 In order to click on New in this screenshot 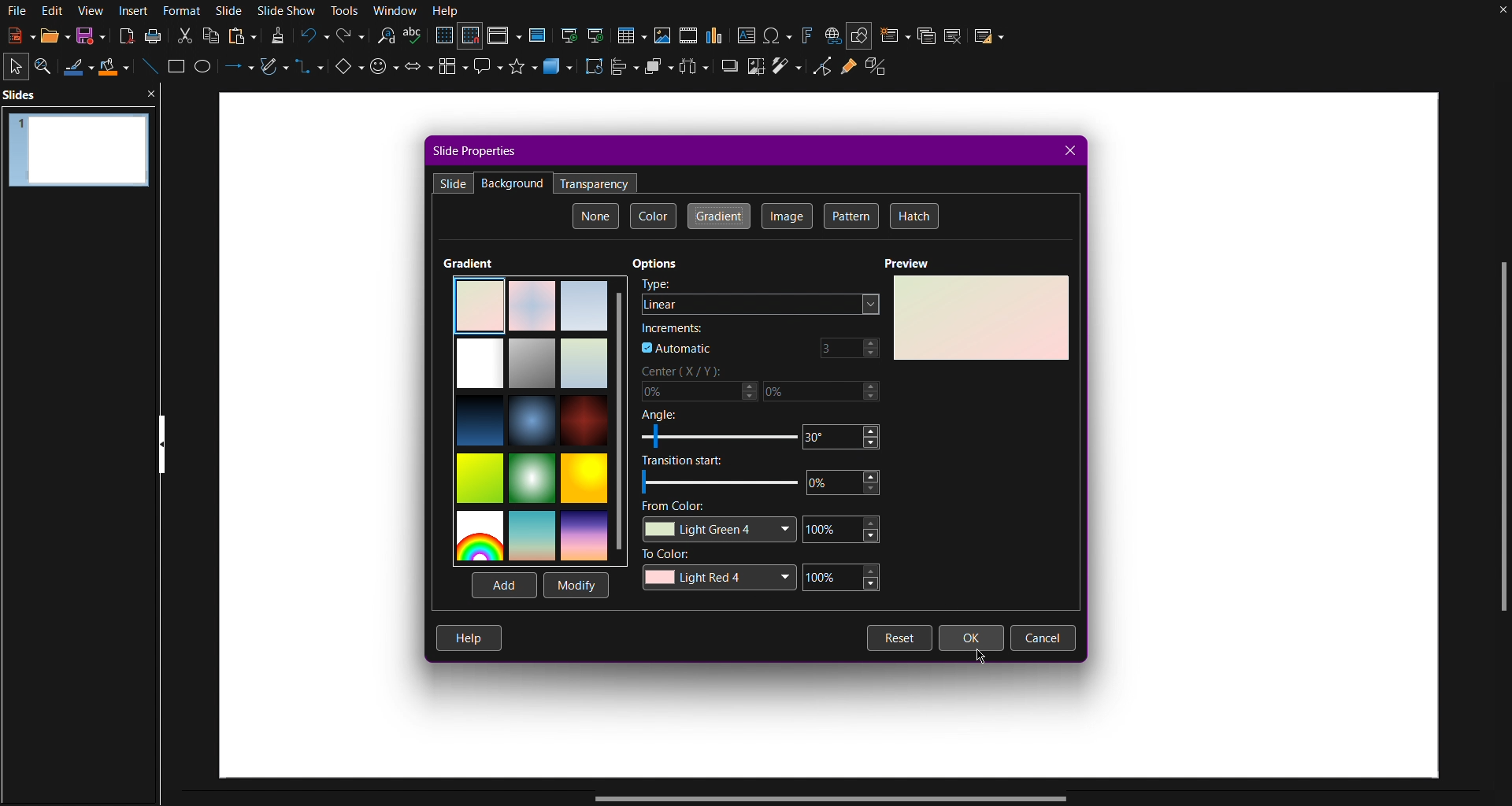, I will do `click(16, 37)`.